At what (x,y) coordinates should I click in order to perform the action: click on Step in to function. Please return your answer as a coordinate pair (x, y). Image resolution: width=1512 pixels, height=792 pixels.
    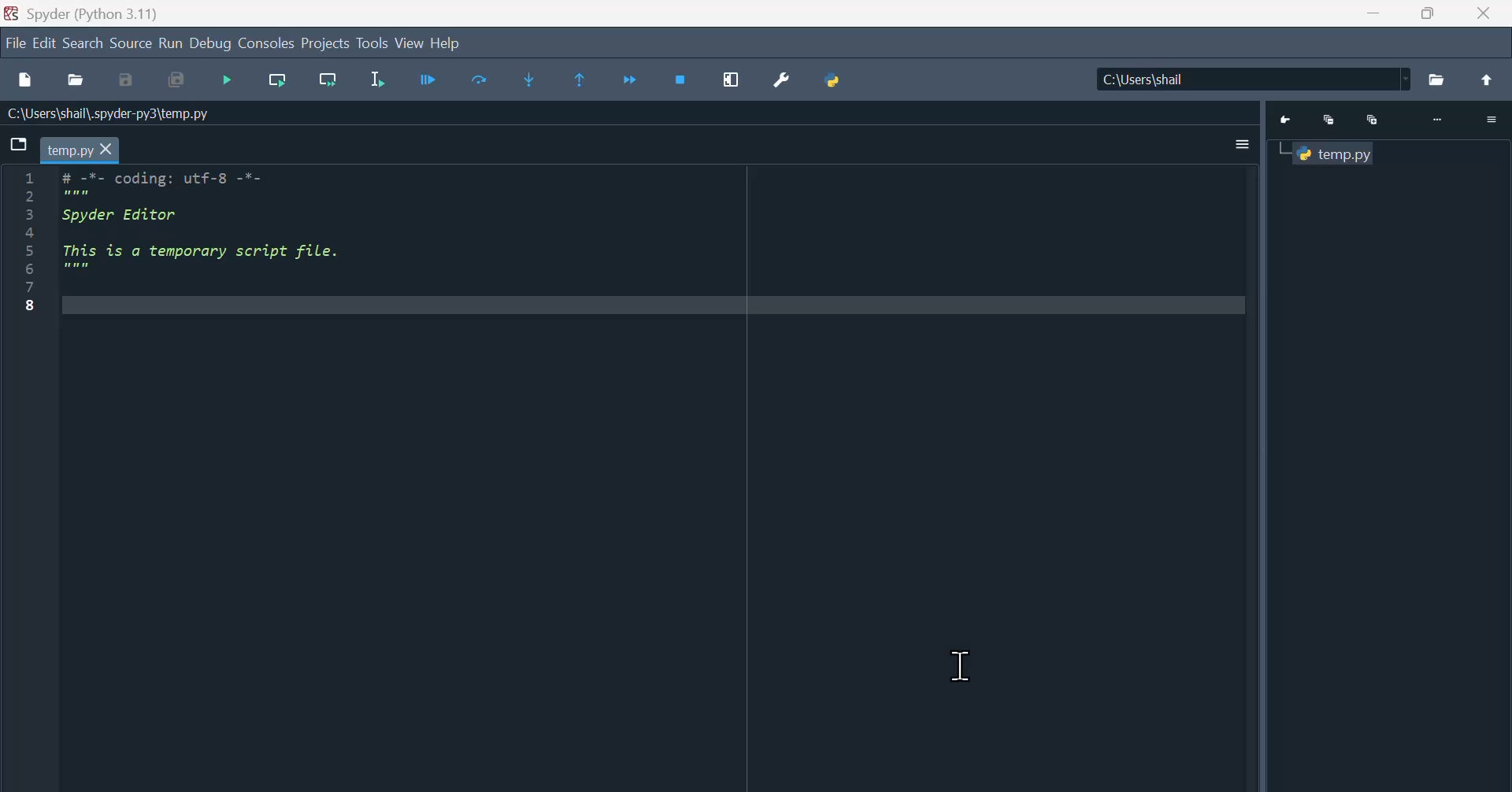
    Looking at the image, I should click on (530, 80).